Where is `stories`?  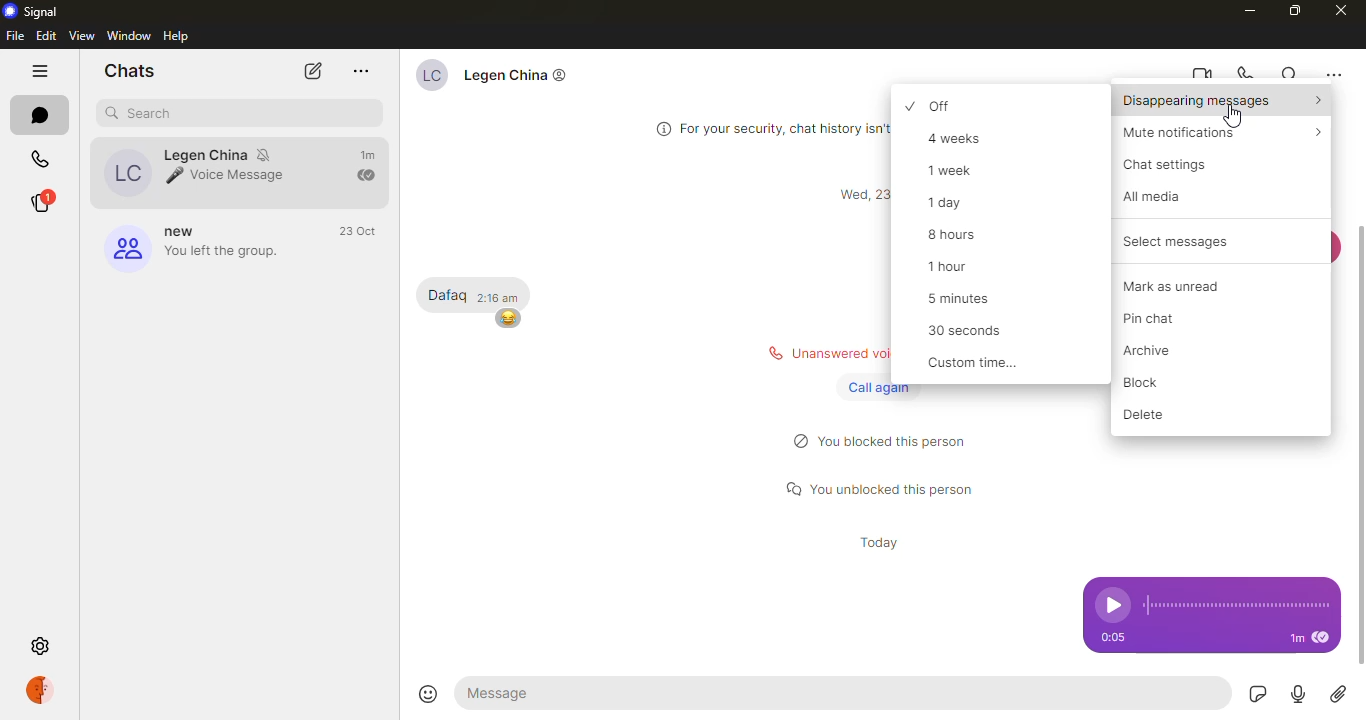
stories is located at coordinates (51, 202).